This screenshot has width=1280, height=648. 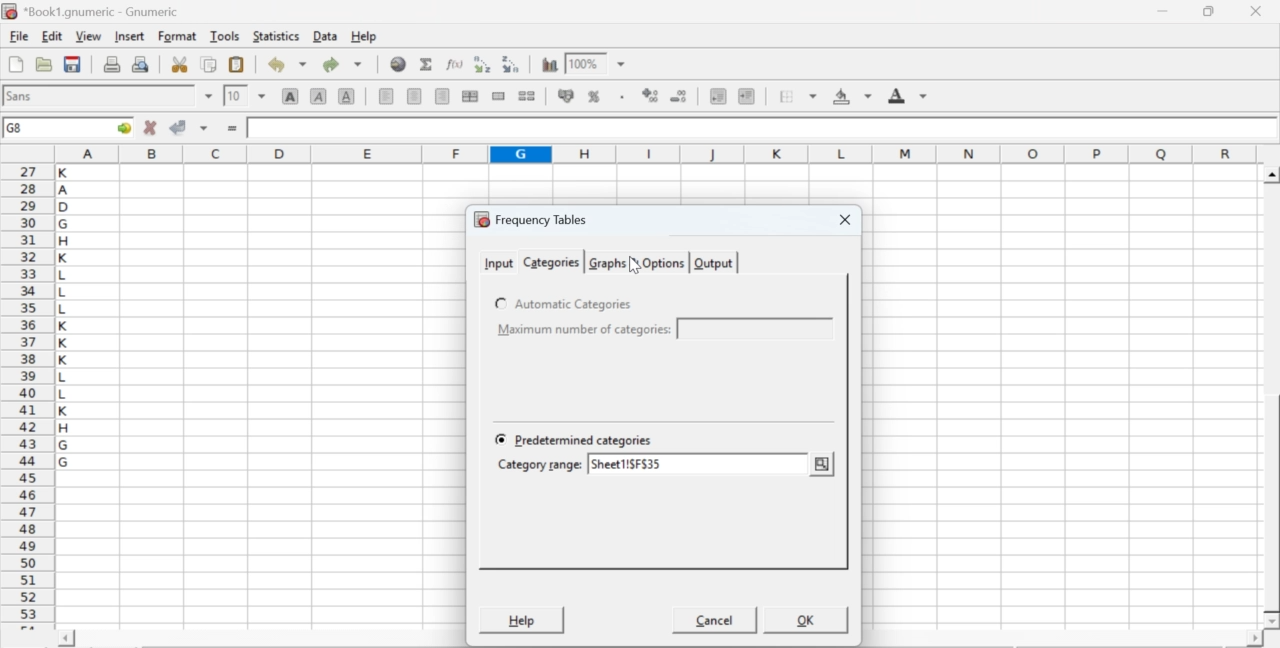 I want to click on sum in current cell, so click(x=427, y=63).